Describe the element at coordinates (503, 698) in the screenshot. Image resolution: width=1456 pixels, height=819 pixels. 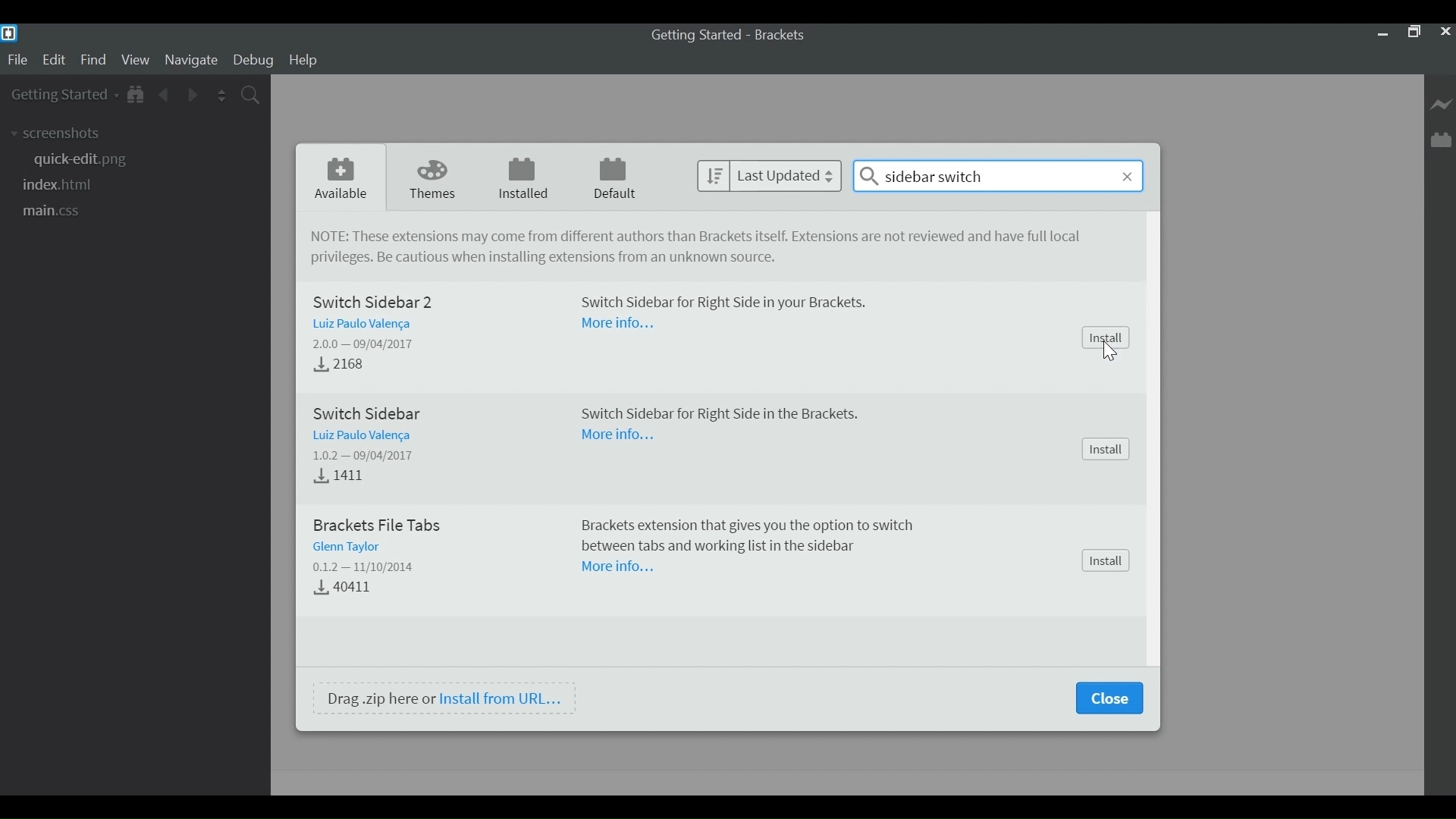
I see `Install from URL` at that location.